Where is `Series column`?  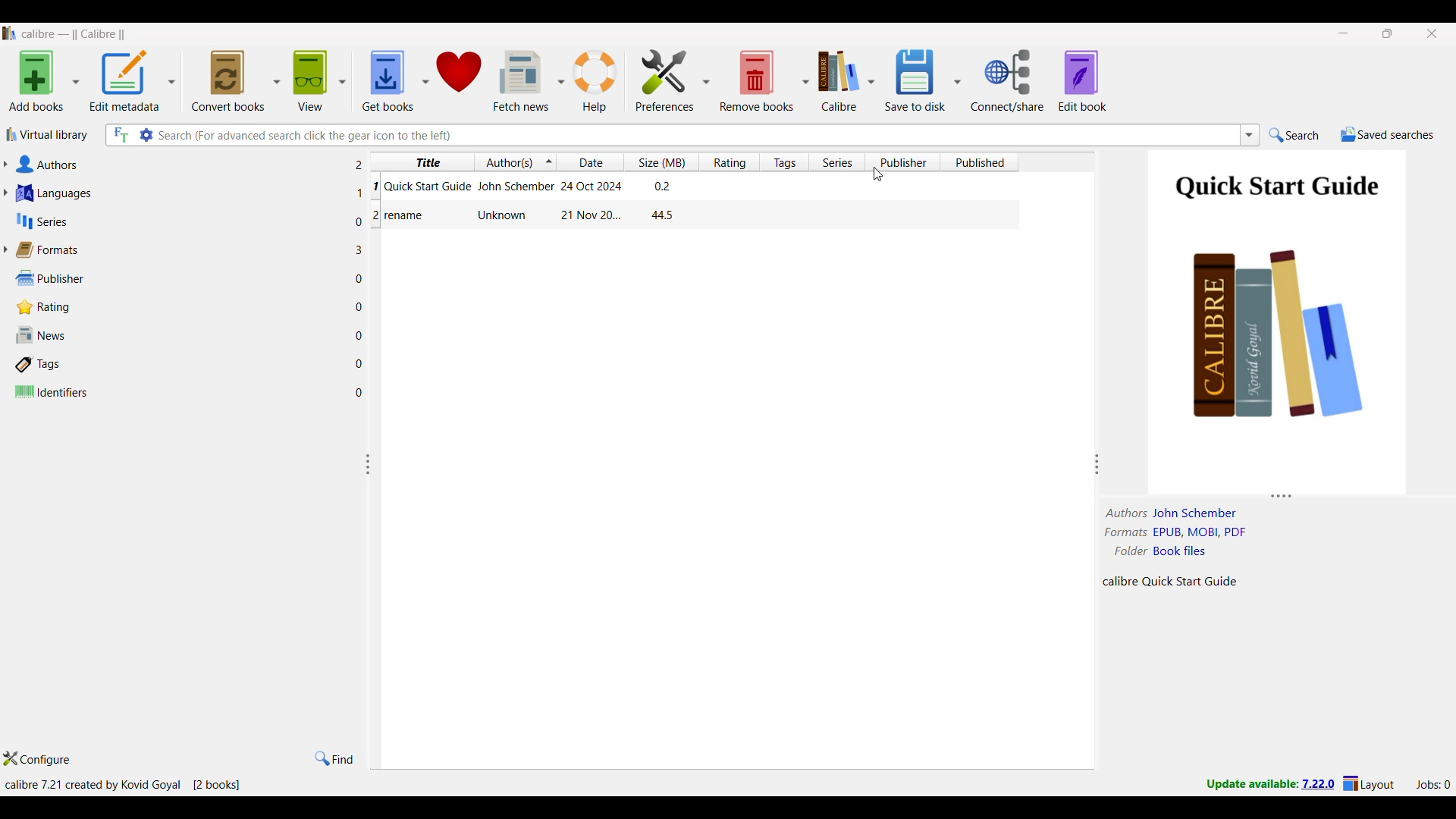
Series column is located at coordinates (836, 162).